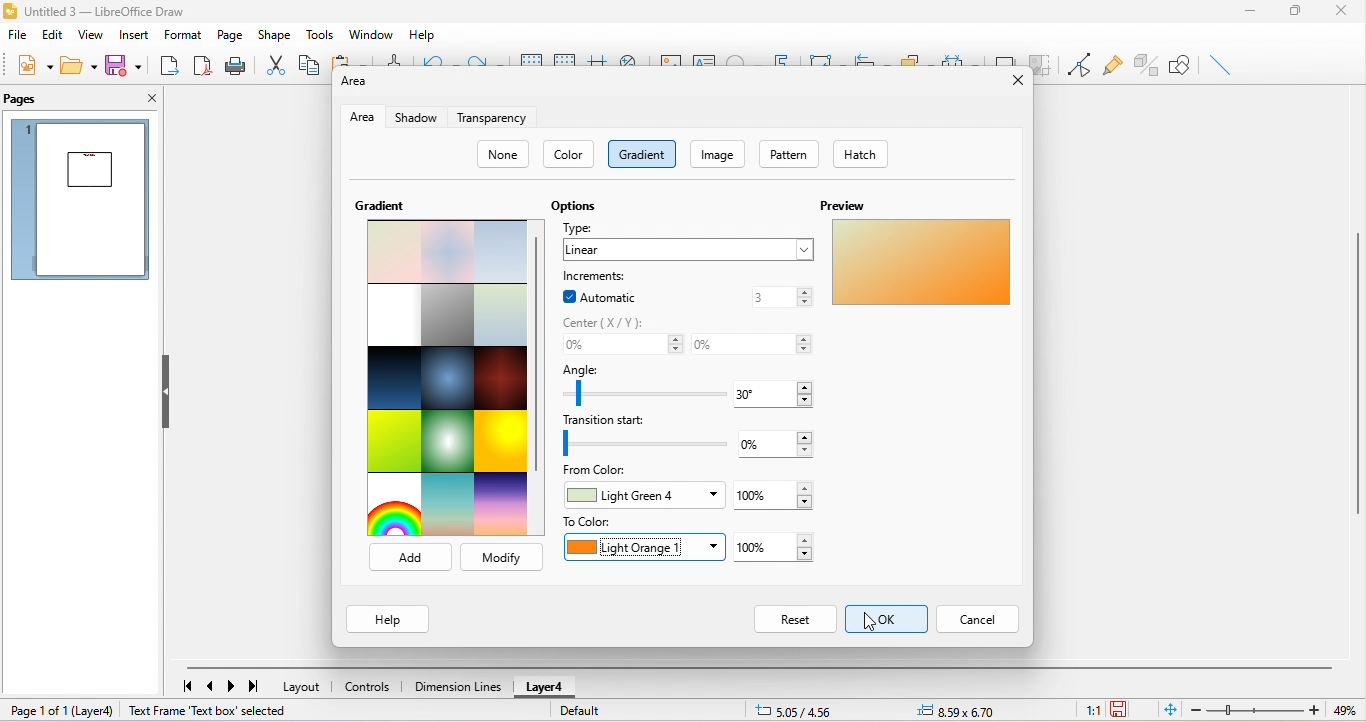  Describe the element at coordinates (821, 56) in the screenshot. I see `transformation` at that location.